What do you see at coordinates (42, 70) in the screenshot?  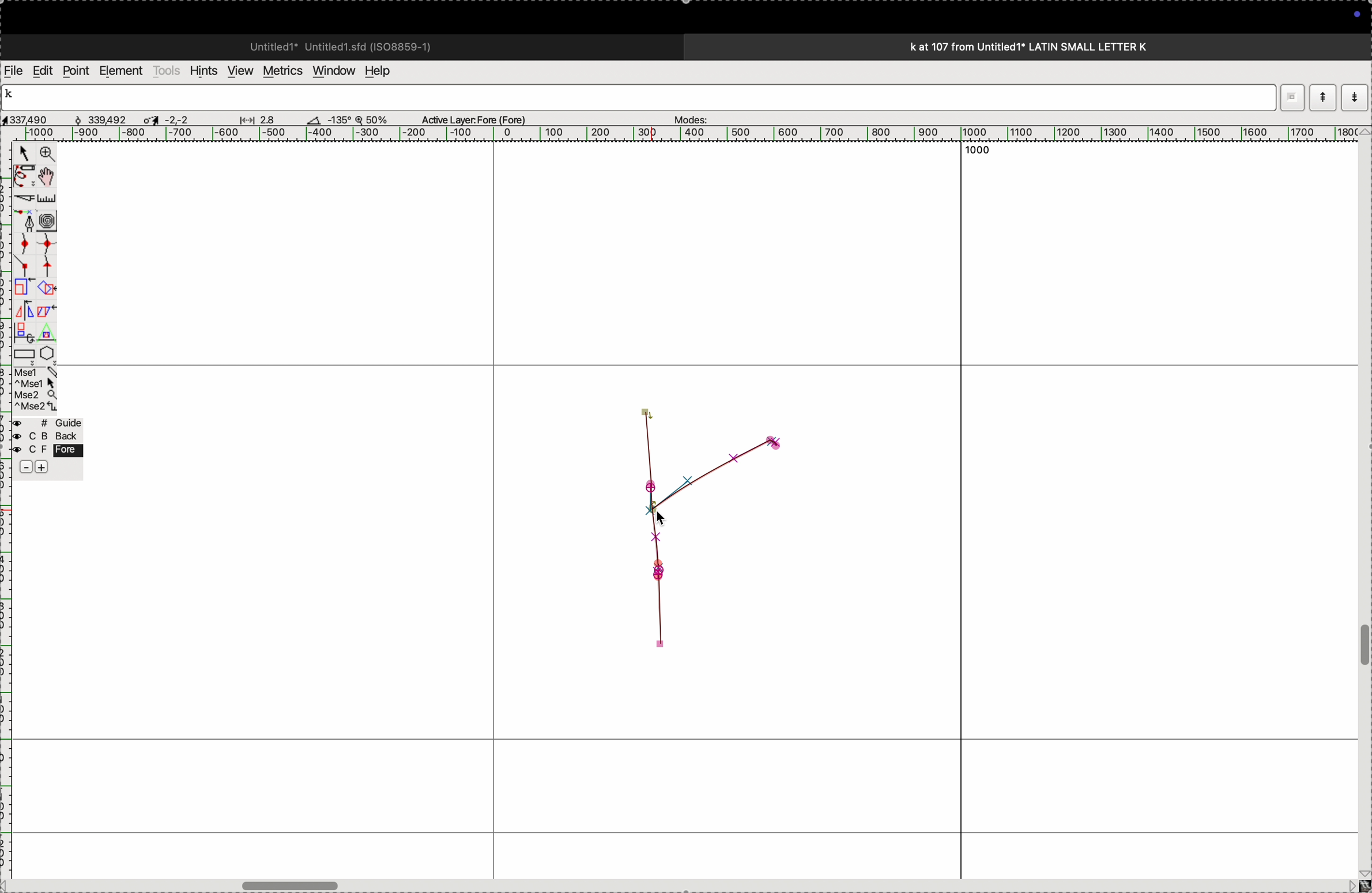 I see `edit` at bounding box center [42, 70].